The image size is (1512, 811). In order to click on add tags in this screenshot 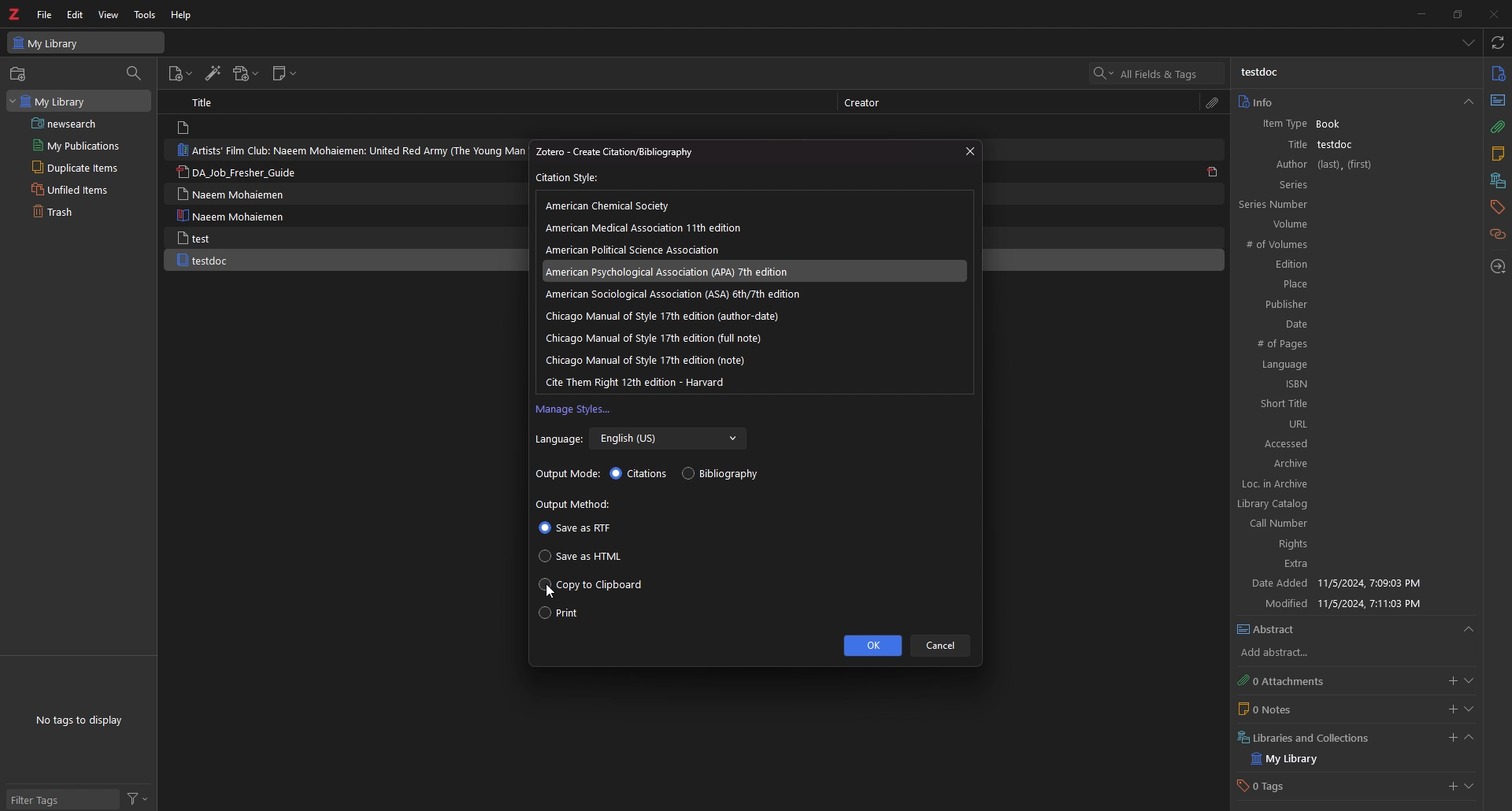, I will do `click(1451, 788)`.